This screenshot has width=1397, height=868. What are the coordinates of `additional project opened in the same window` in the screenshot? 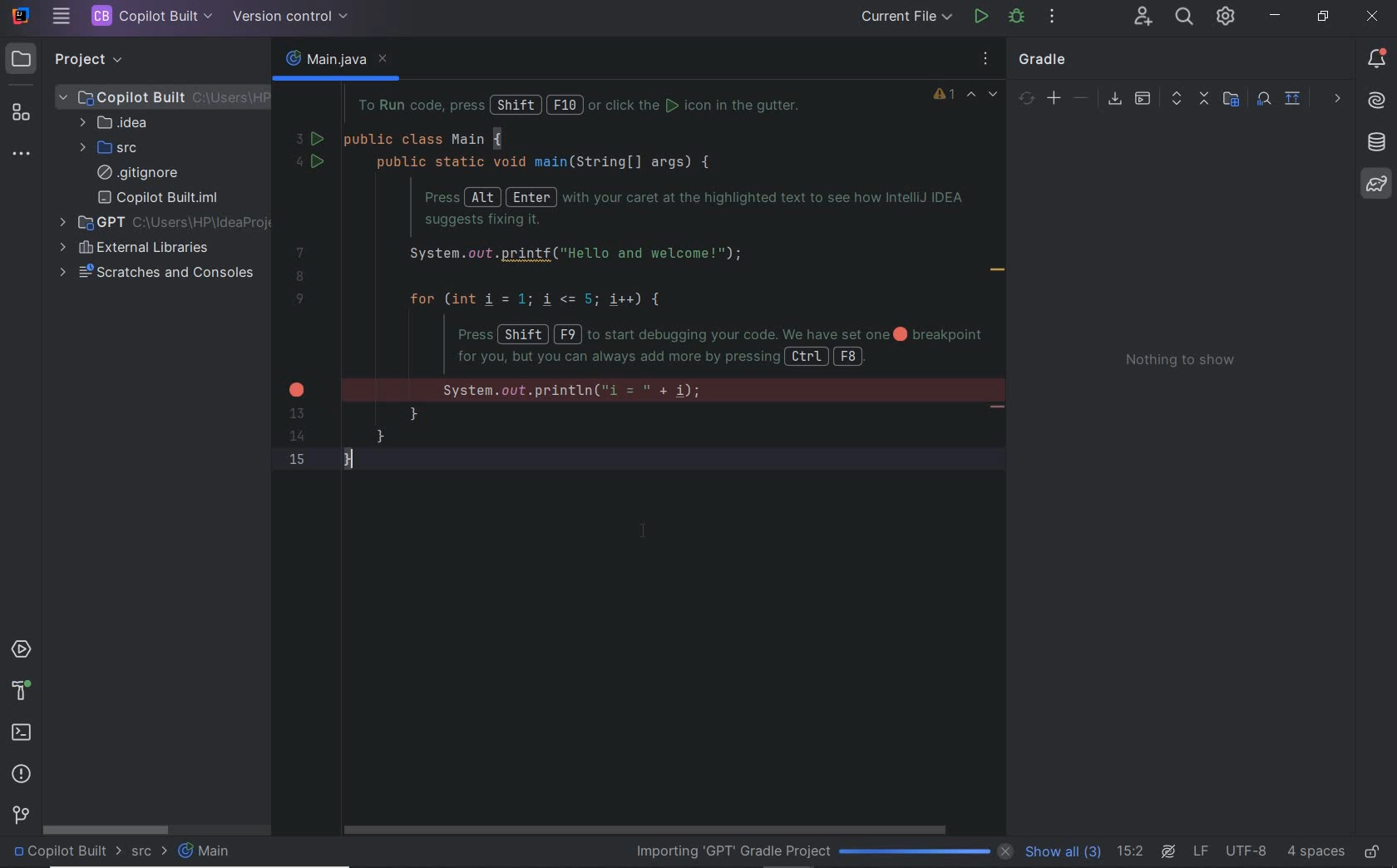 It's located at (160, 223).